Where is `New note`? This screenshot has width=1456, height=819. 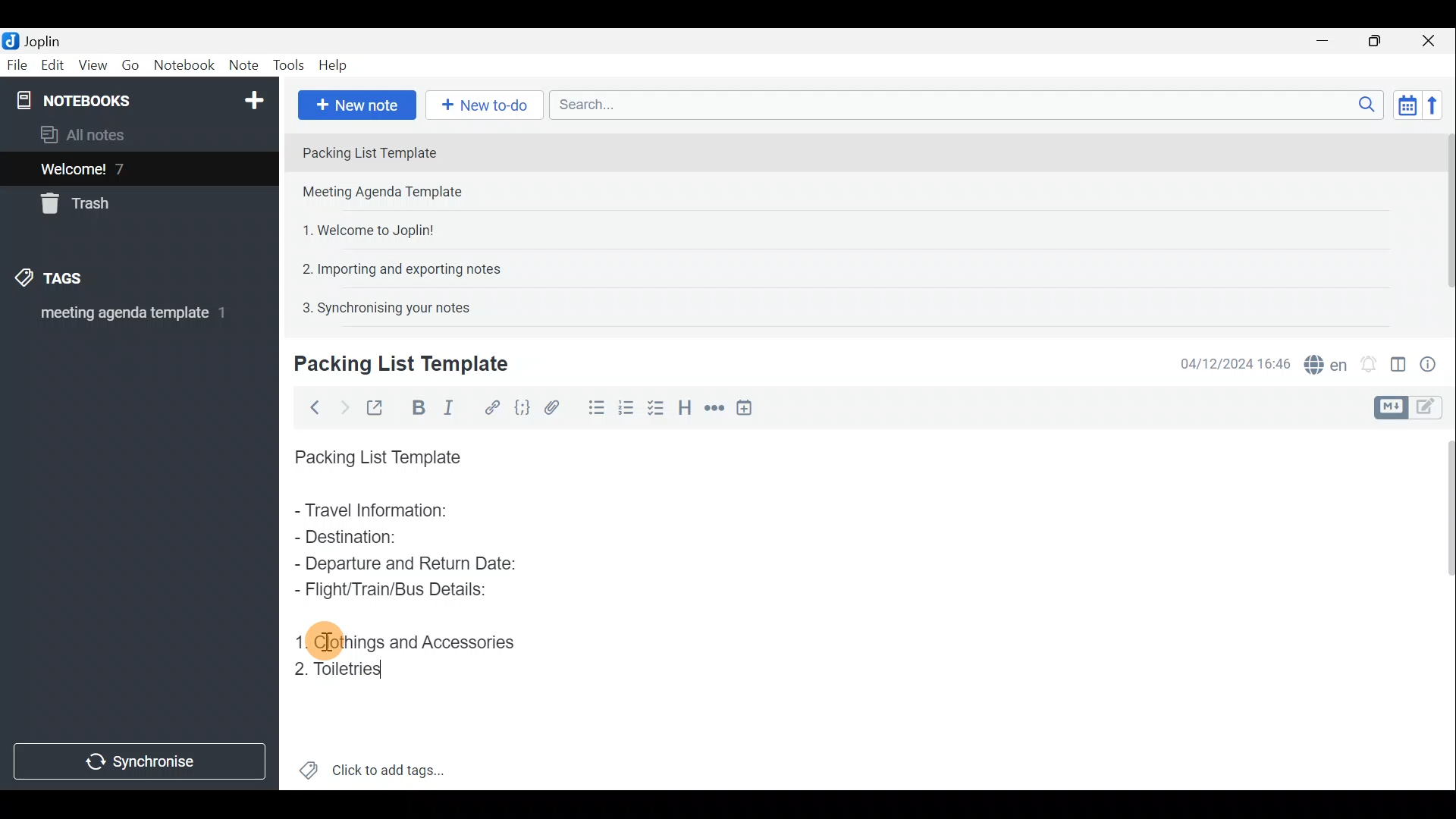
New note is located at coordinates (356, 103).